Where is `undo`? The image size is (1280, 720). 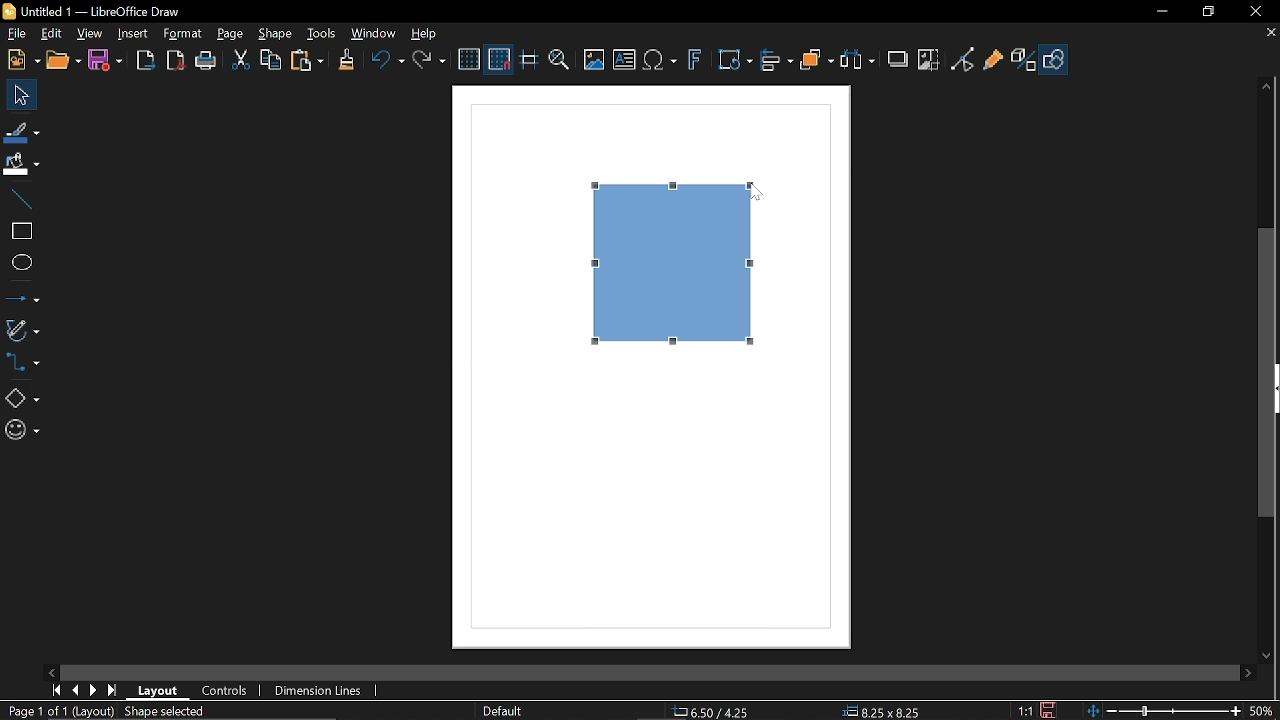
undo is located at coordinates (388, 60).